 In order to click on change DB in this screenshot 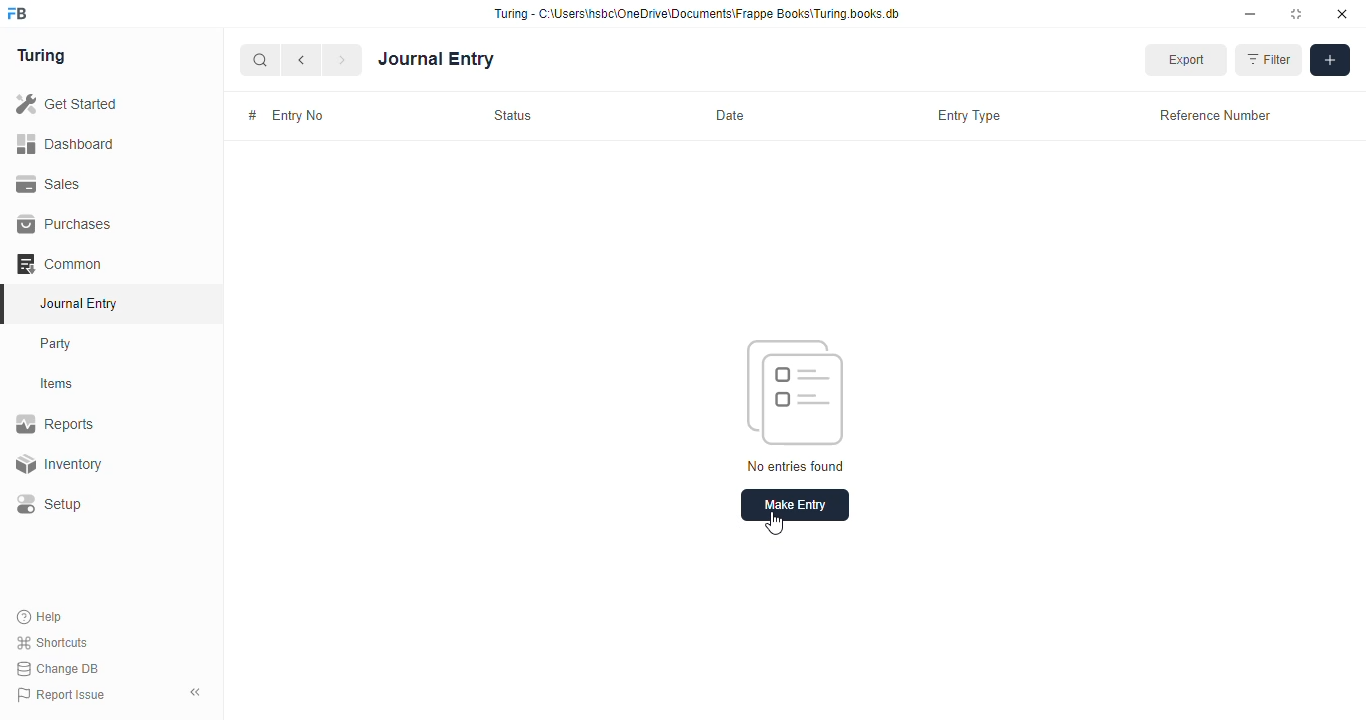, I will do `click(58, 669)`.